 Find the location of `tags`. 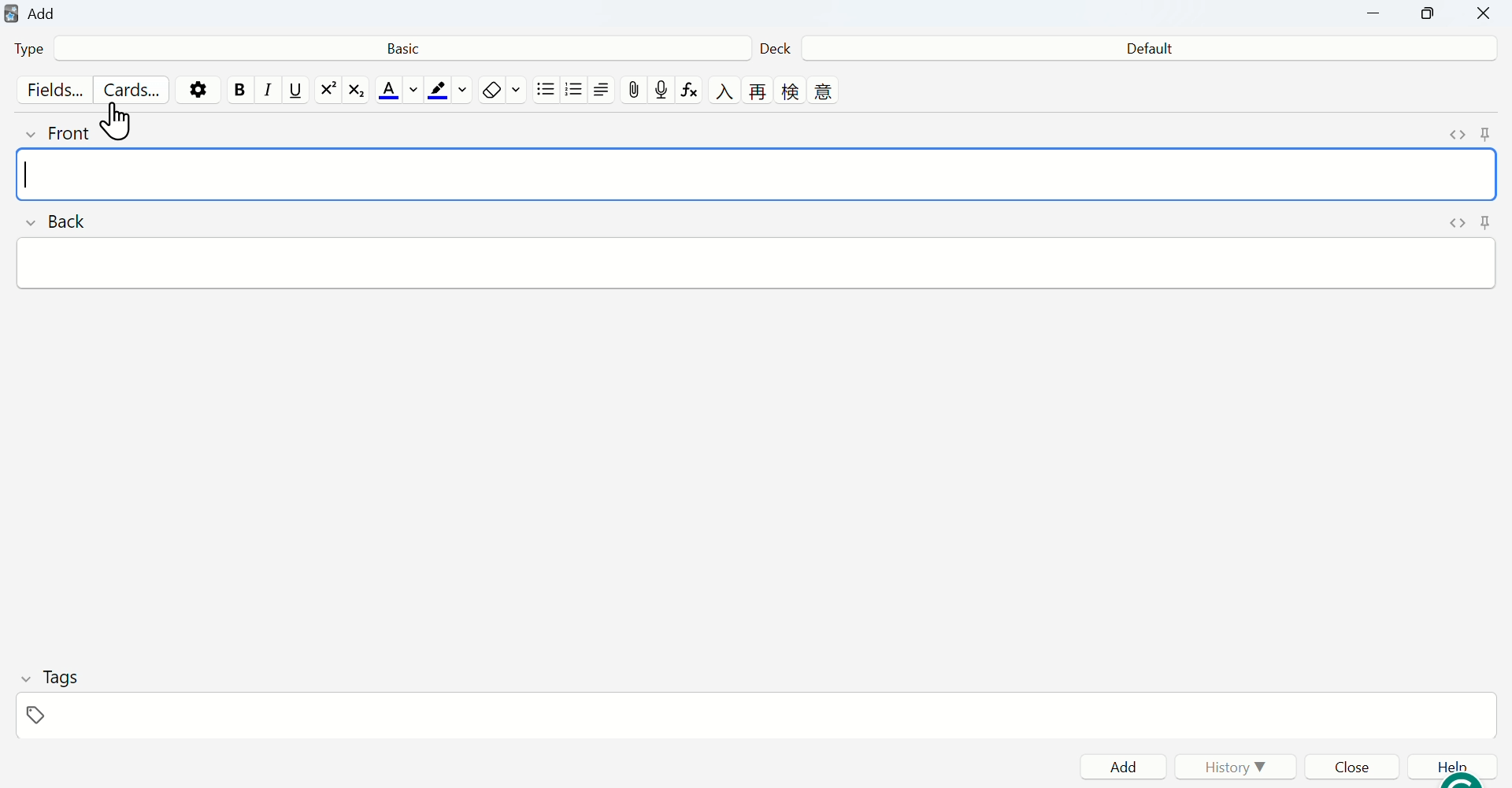

tags is located at coordinates (756, 716).